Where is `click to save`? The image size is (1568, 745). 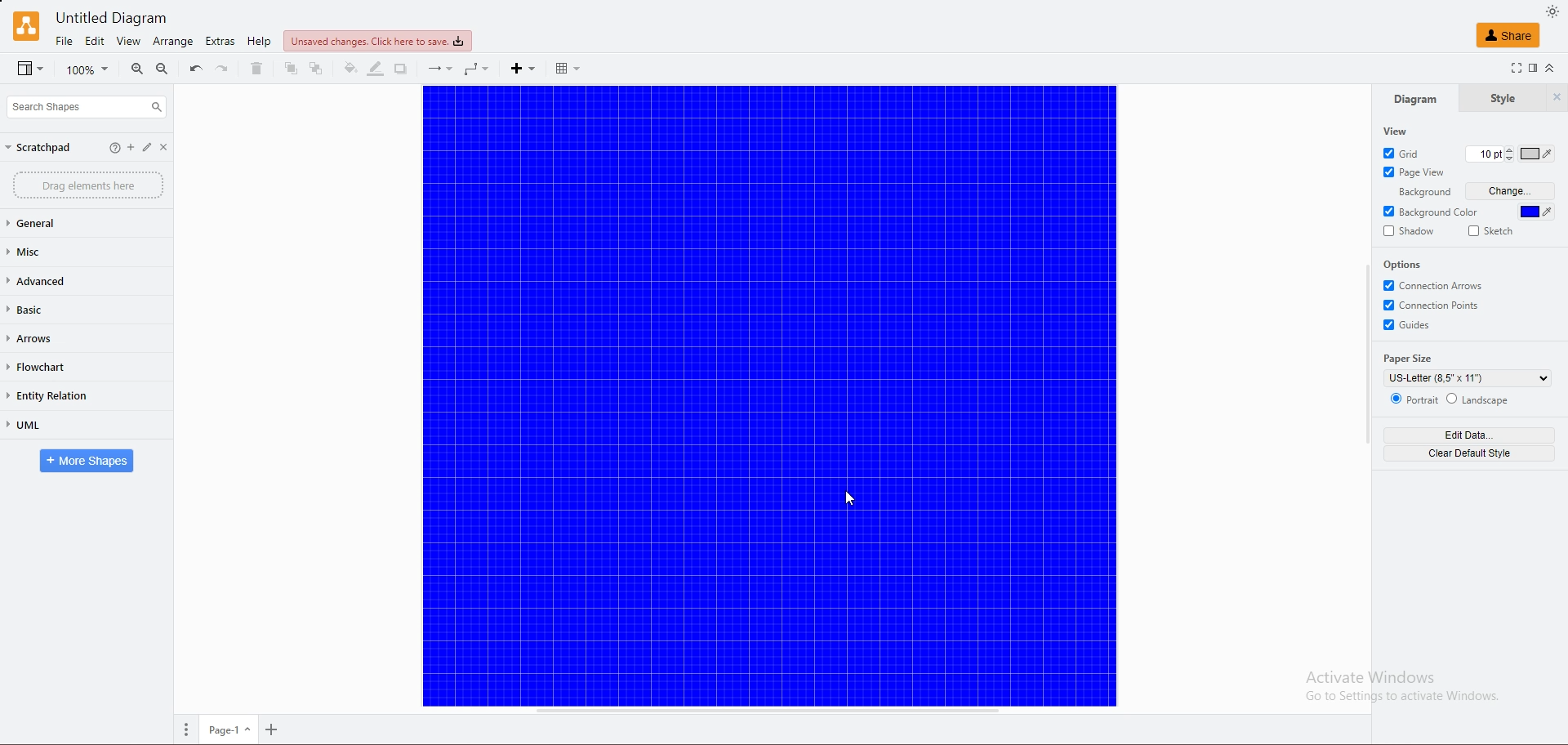 click to save is located at coordinates (377, 40).